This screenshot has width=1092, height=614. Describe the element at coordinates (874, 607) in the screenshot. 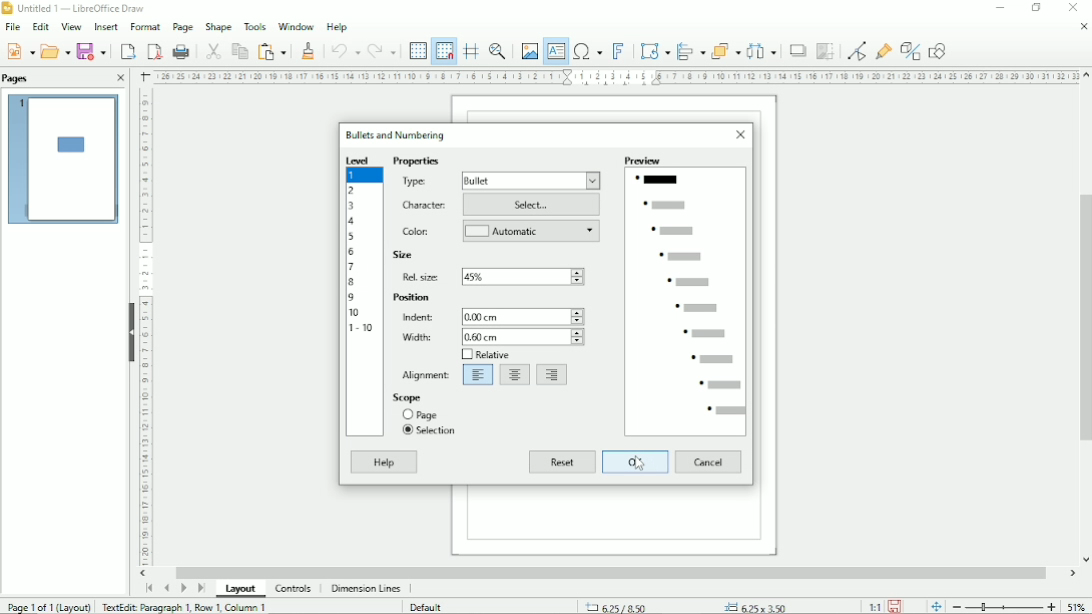

I see `Scaling factor` at that location.